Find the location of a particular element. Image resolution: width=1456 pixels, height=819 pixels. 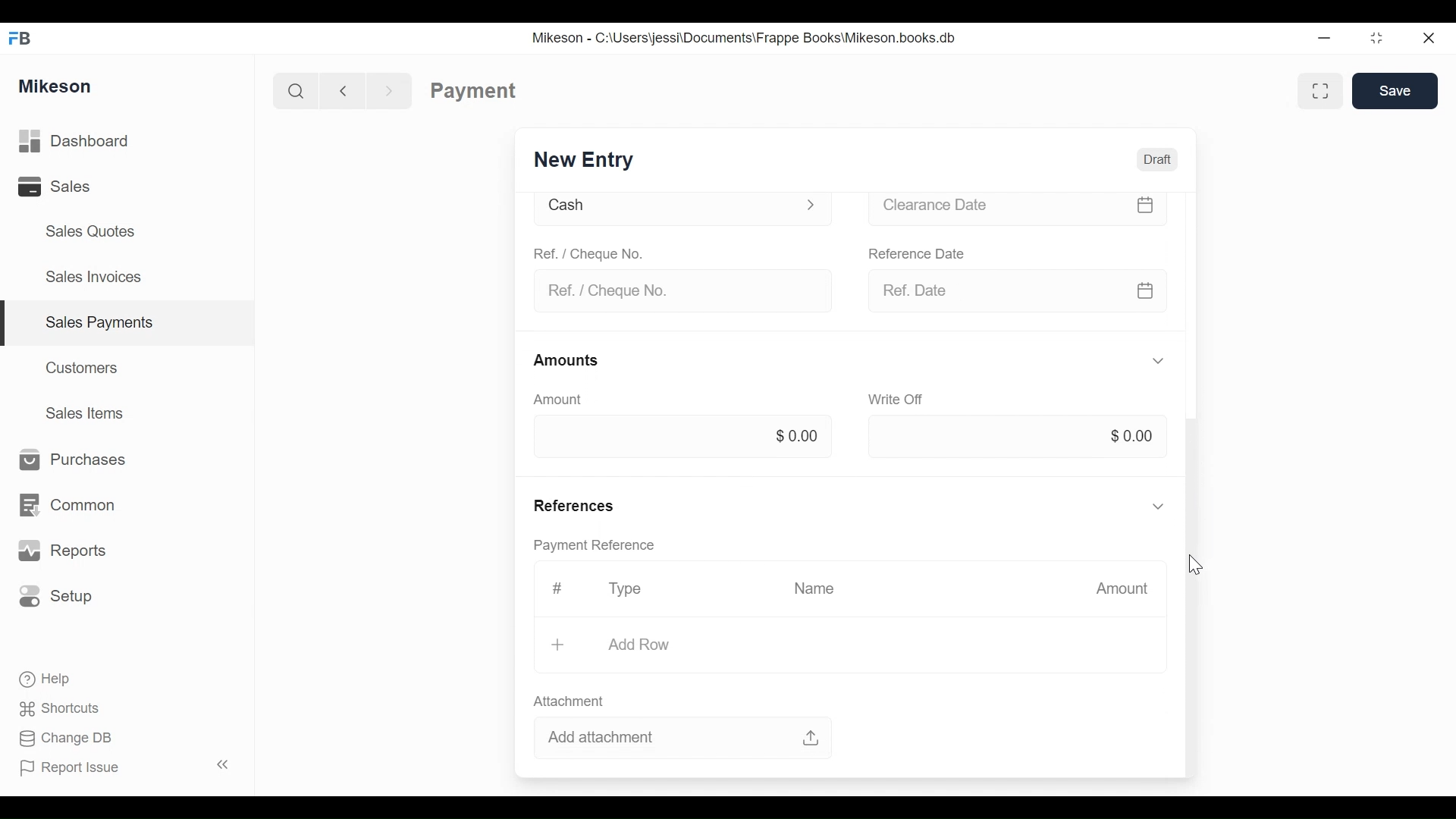

Amount is located at coordinates (1123, 588).